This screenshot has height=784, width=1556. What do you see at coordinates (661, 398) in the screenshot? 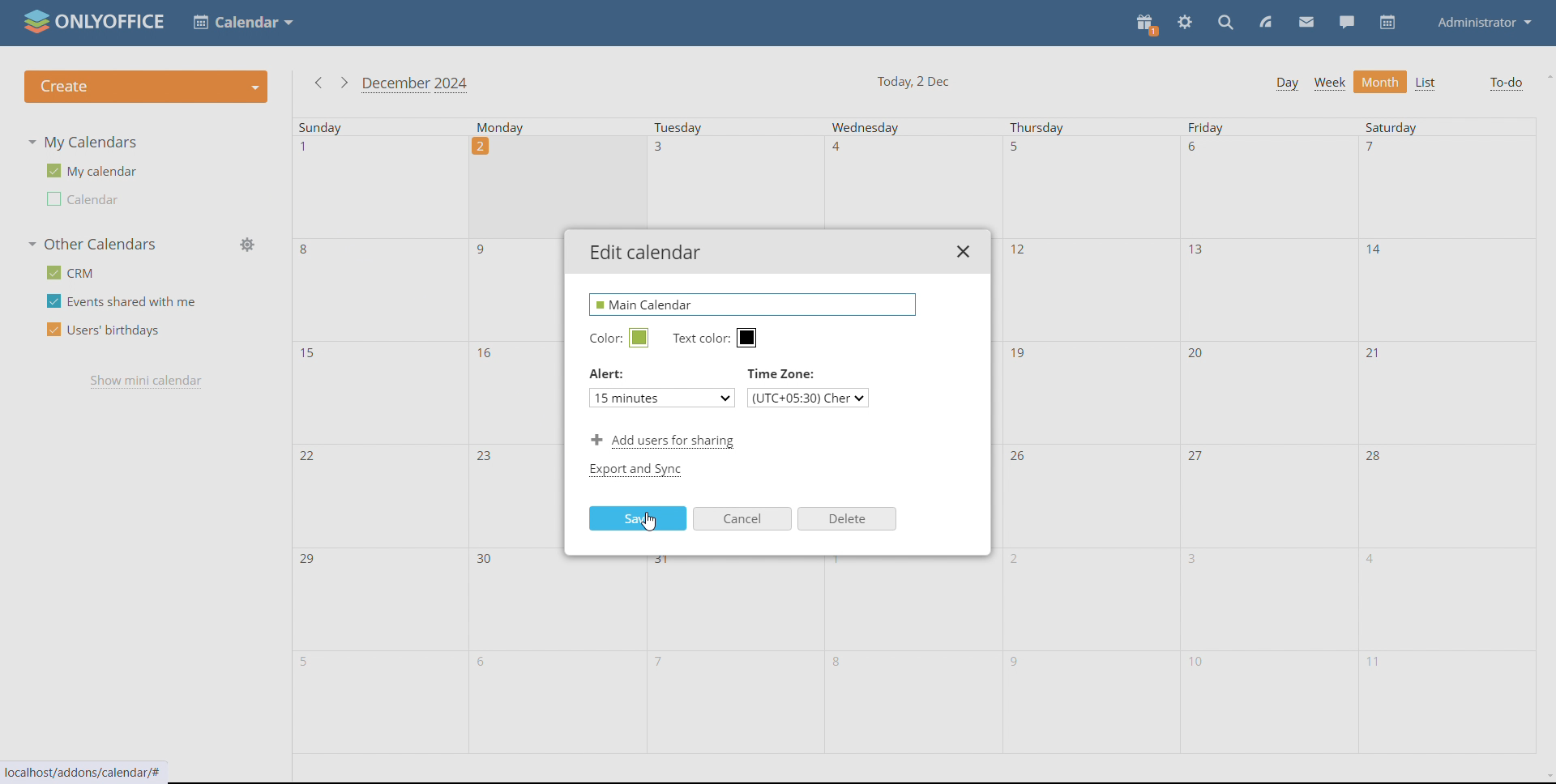
I see `set alert` at bounding box center [661, 398].